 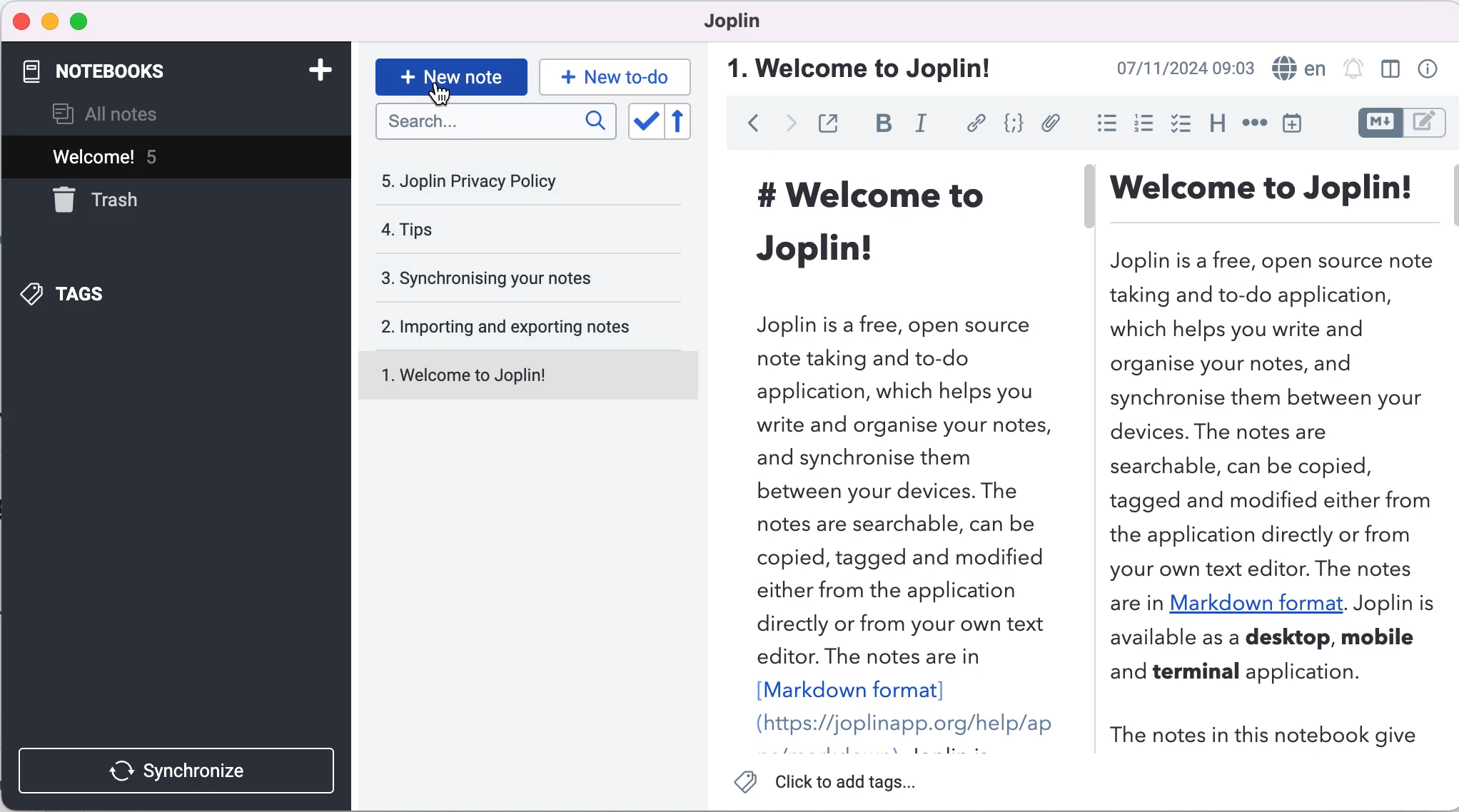 I want to click on horizontal rule, so click(x=1254, y=125).